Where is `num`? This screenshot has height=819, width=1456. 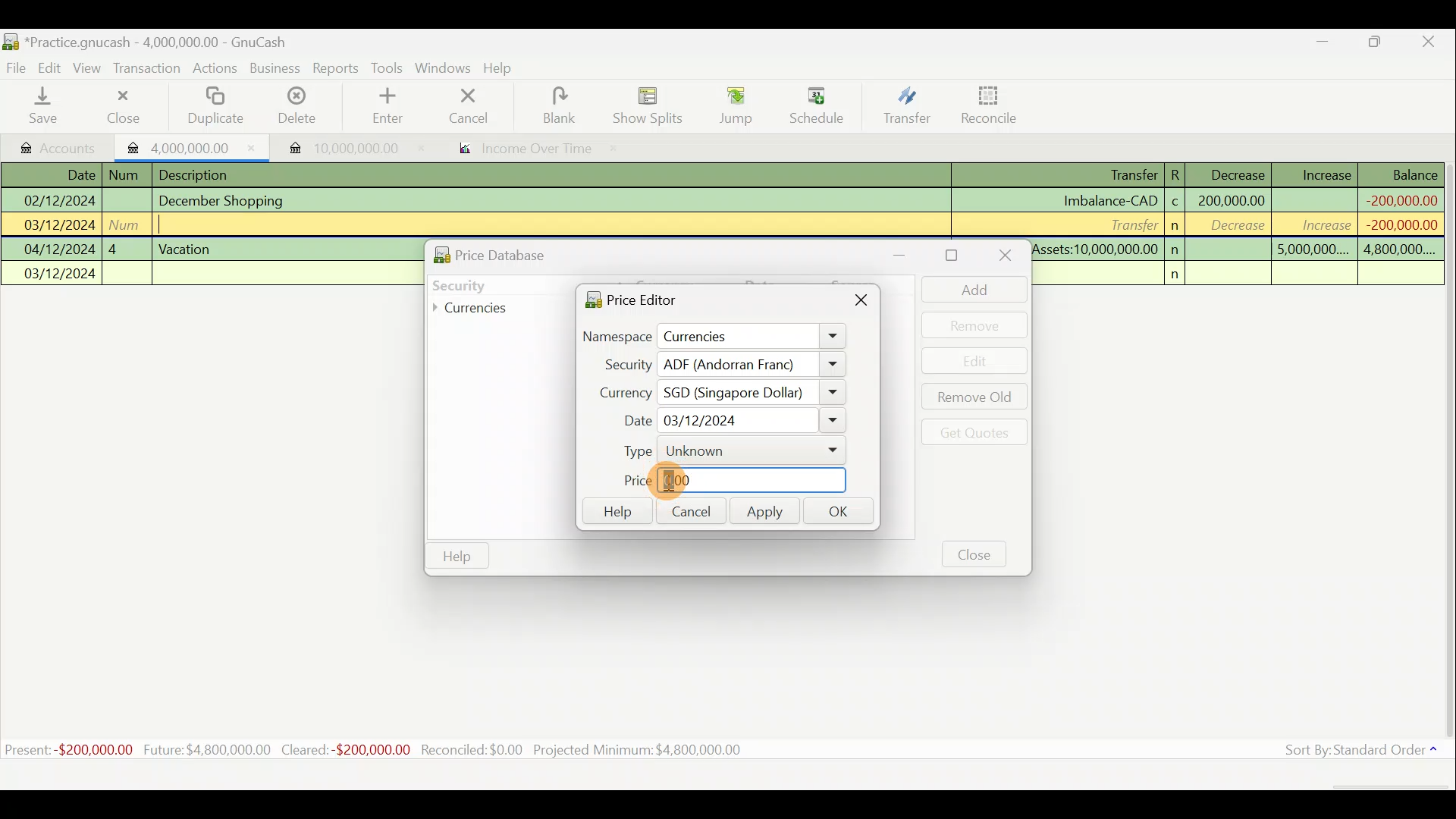 num is located at coordinates (127, 175).